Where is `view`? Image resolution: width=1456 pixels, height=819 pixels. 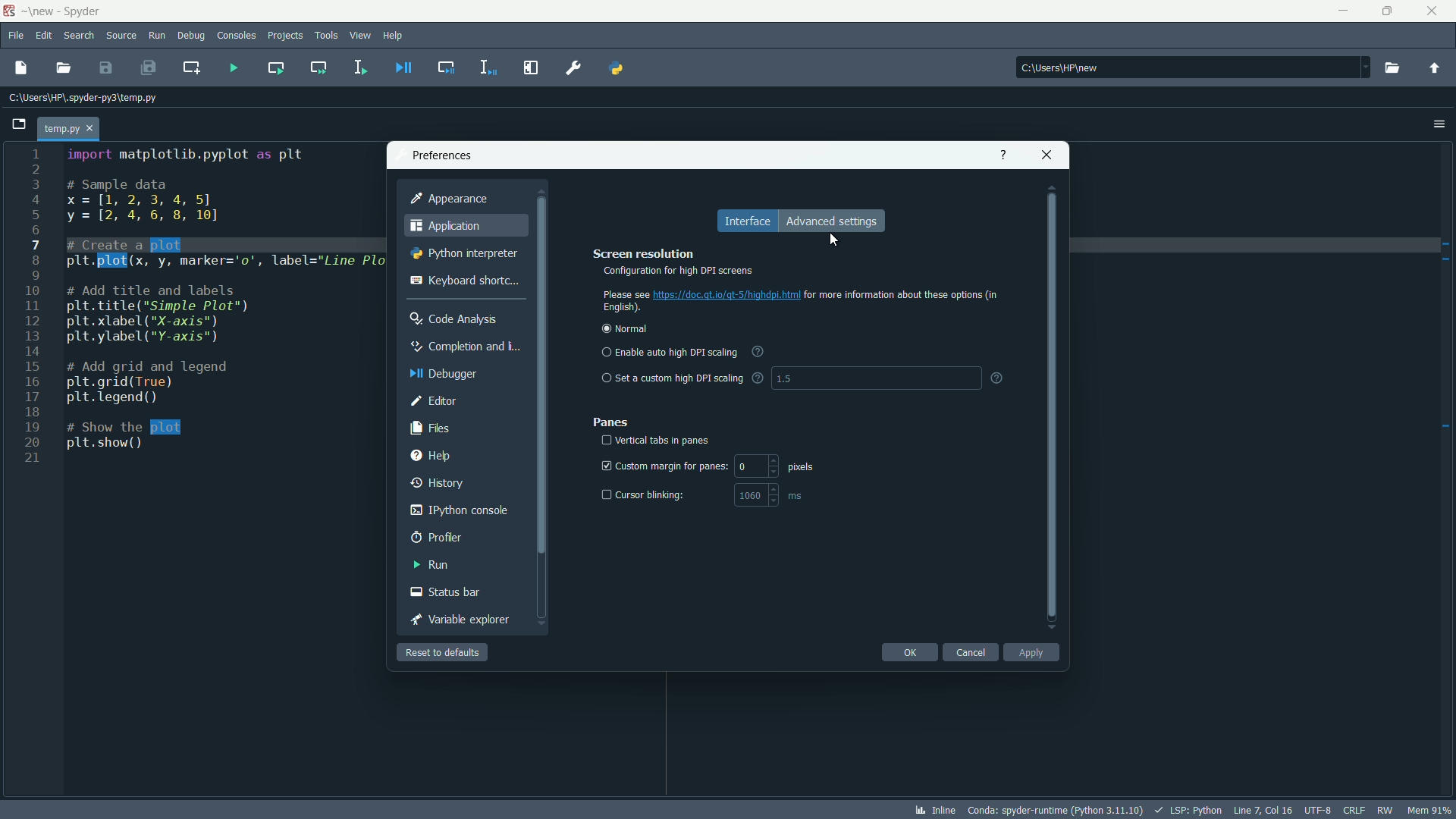
view is located at coordinates (360, 35).